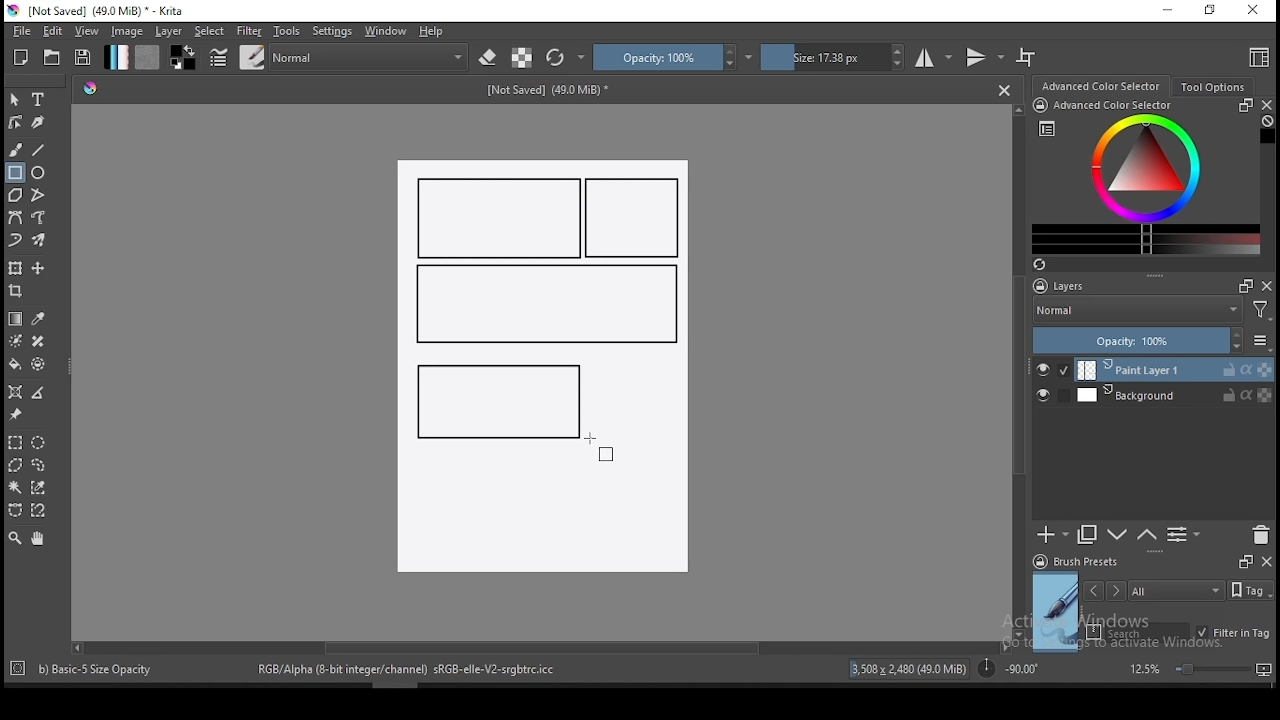  Describe the element at coordinates (15, 392) in the screenshot. I see `assistant tool` at that location.